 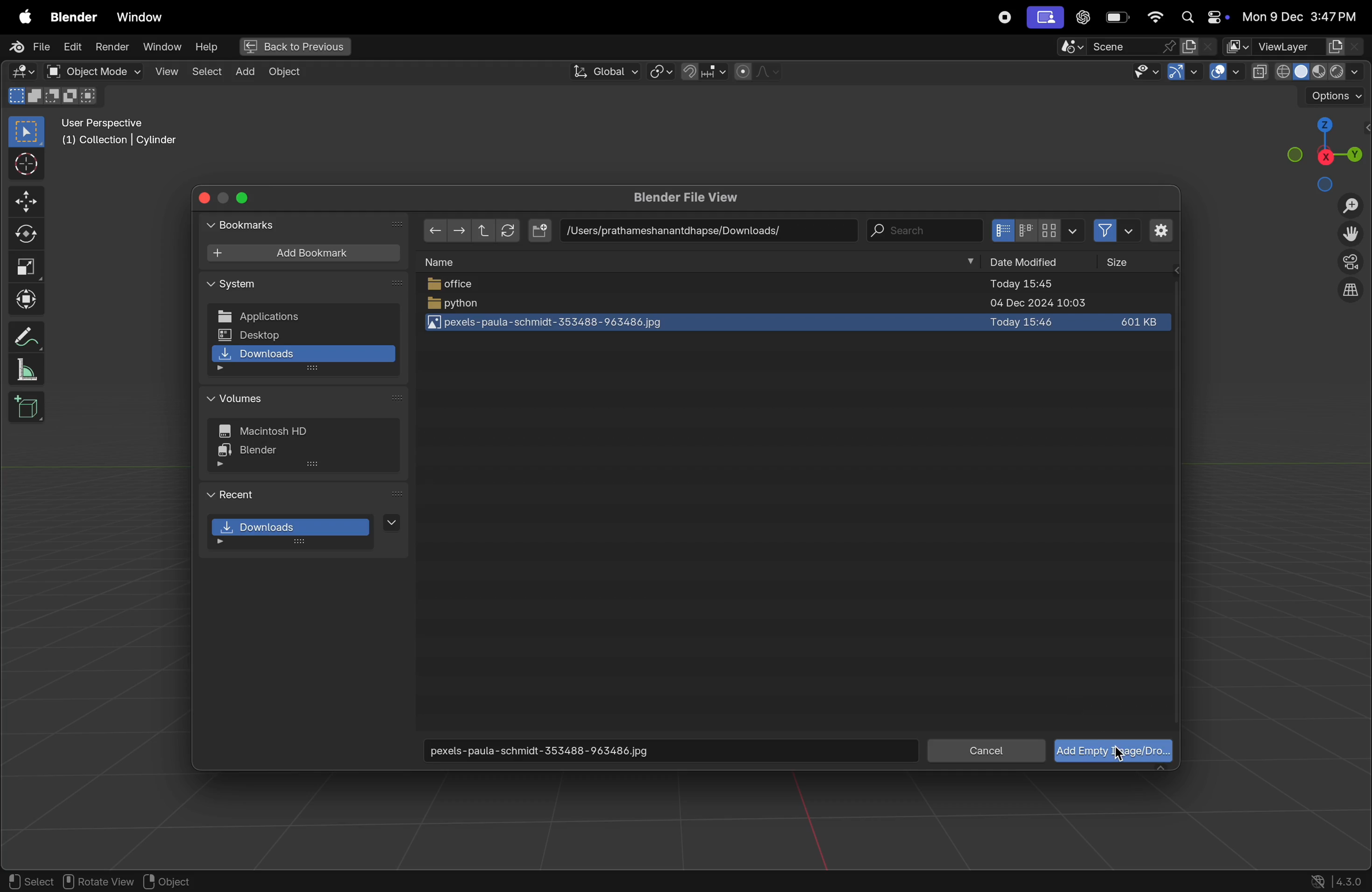 I want to click on cursor, so click(x=1121, y=751).